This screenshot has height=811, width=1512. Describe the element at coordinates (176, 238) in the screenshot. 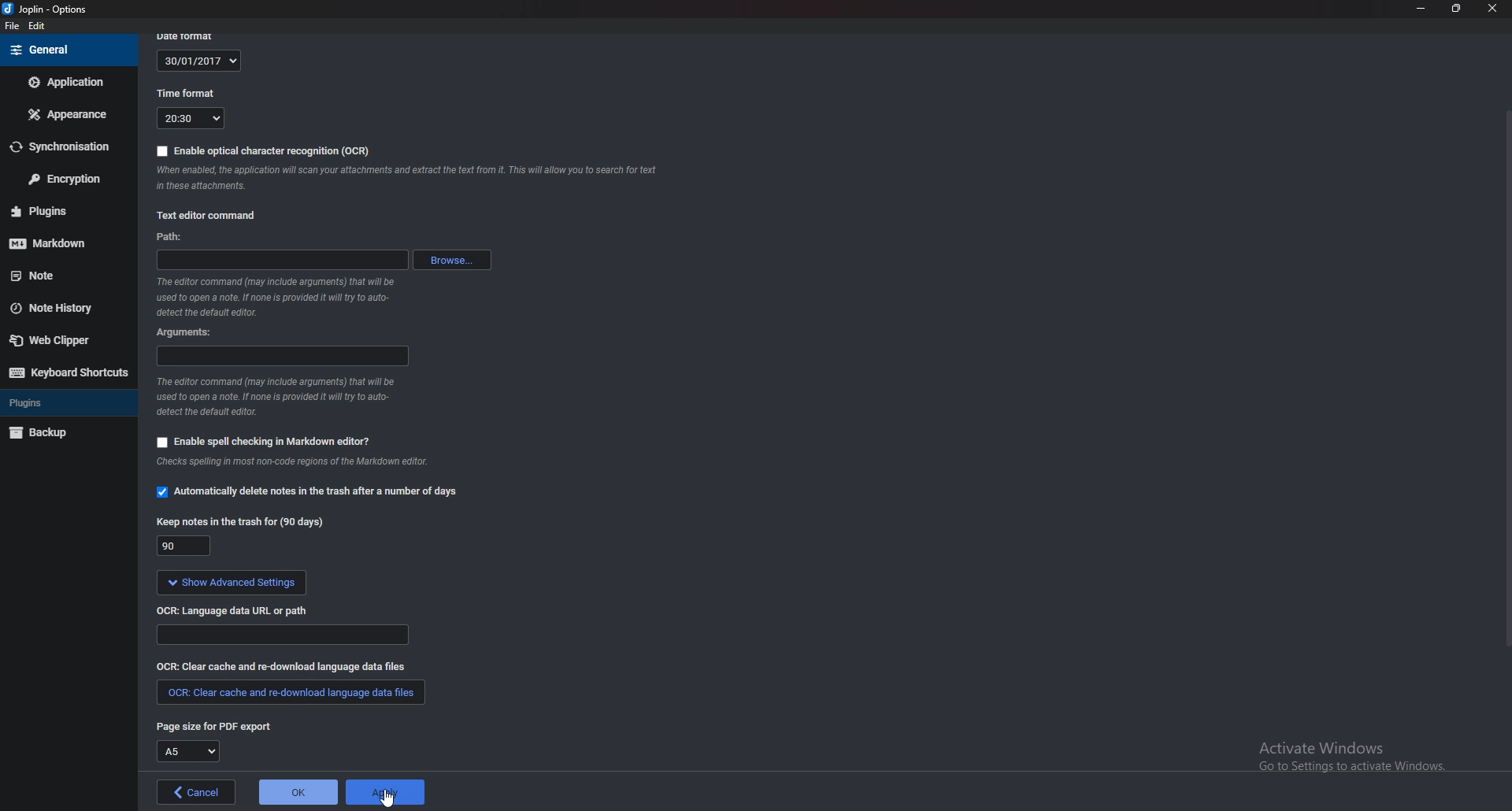

I see `path` at that location.